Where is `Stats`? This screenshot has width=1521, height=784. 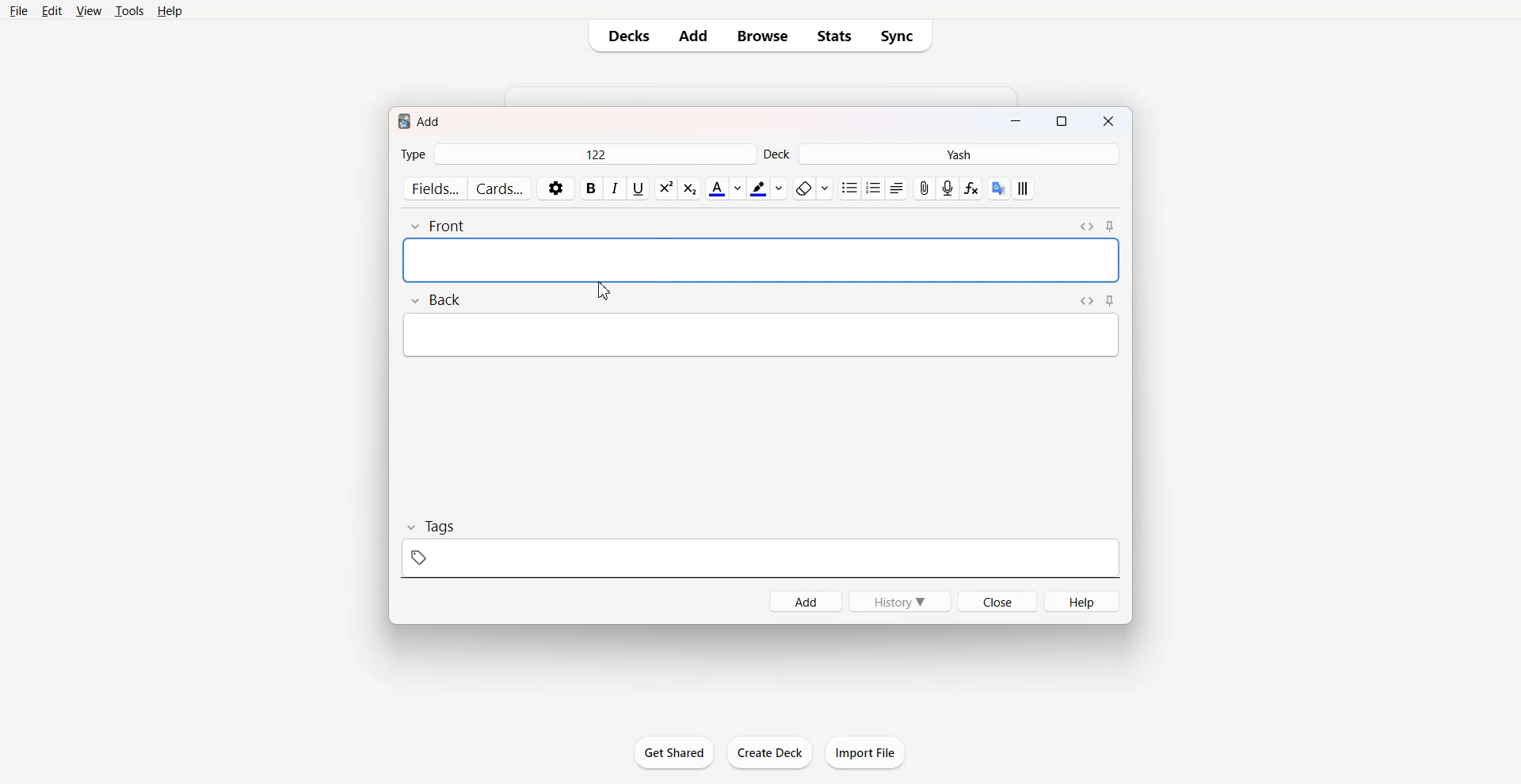 Stats is located at coordinates (834, 36).